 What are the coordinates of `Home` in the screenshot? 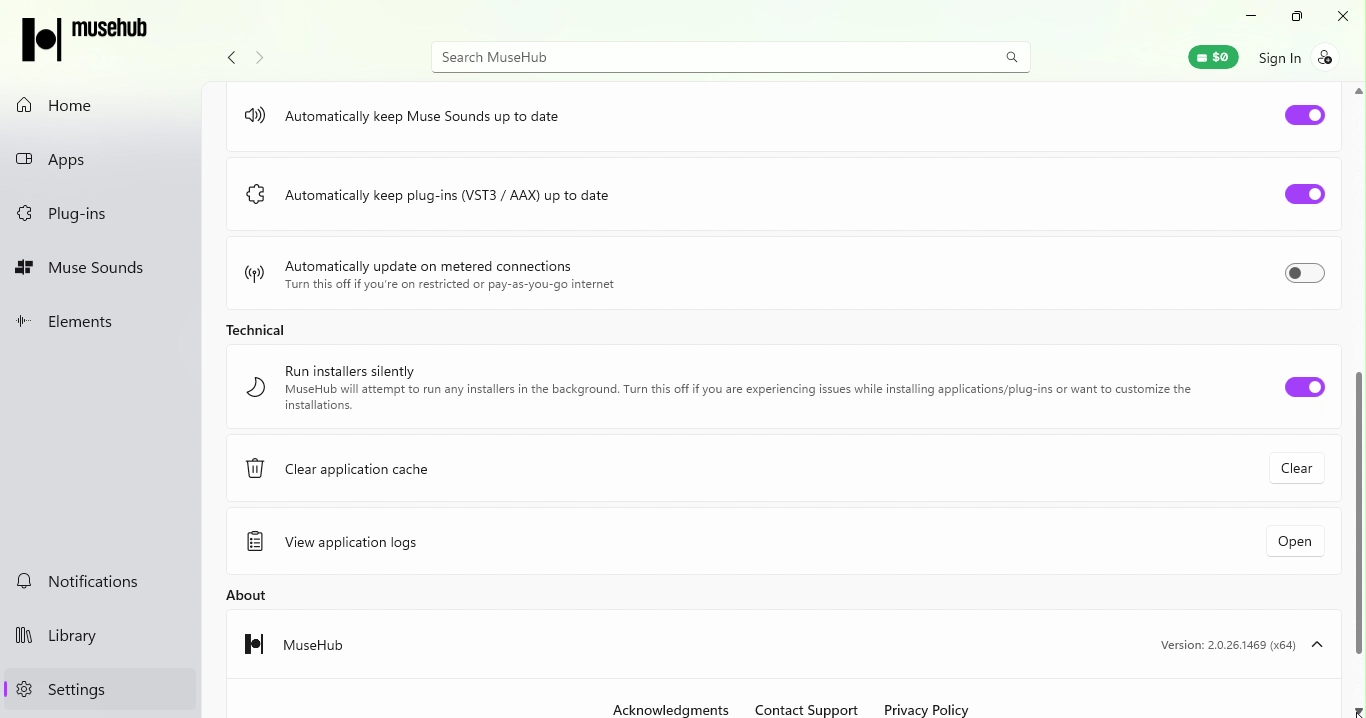 It's located at (71, 107).